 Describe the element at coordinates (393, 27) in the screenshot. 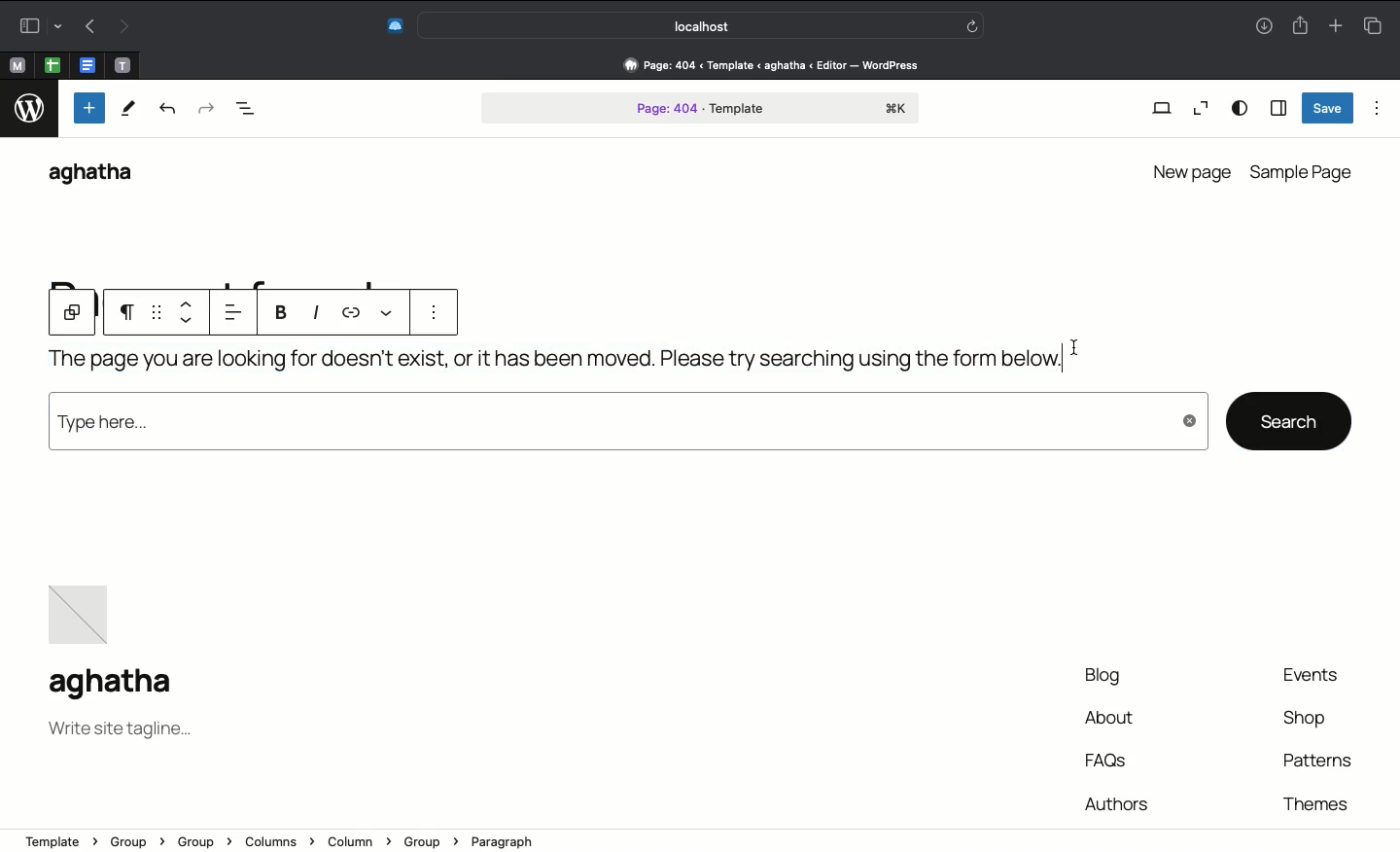

I see `Extensions` at that location.